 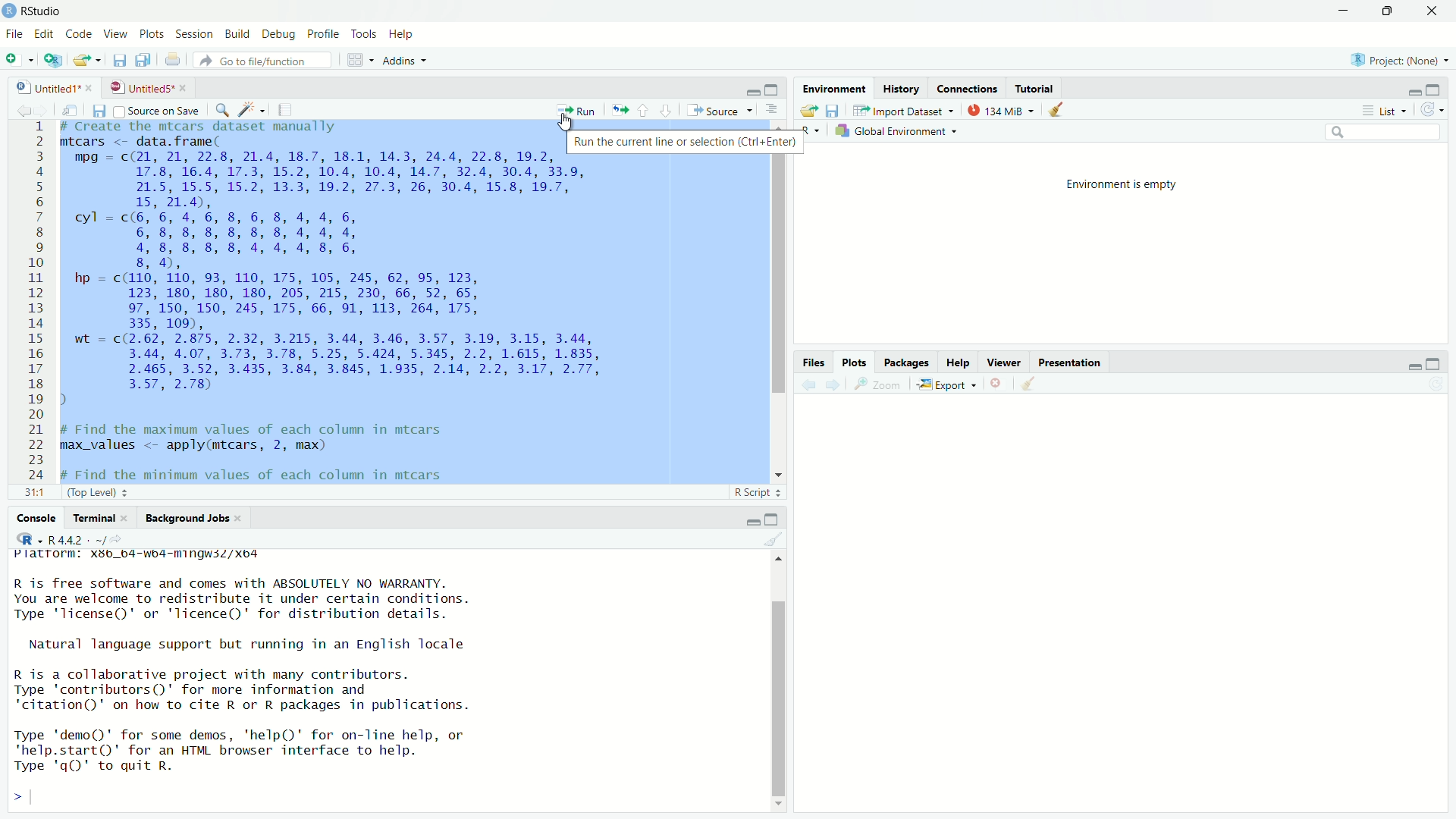 I want to click on maximise, so click(x=1432, y=361).